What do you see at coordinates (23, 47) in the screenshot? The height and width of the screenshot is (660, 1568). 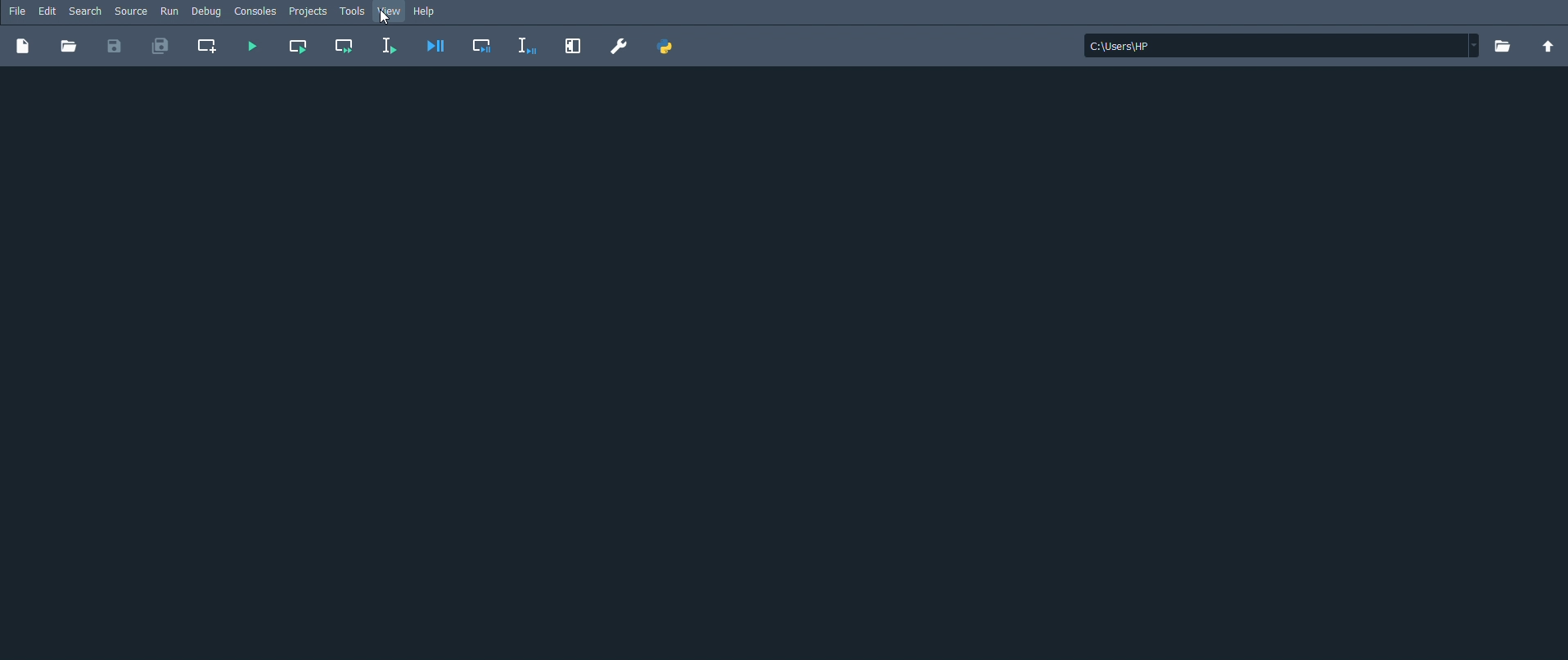 I see `New file` at bounding box center [23, 47].